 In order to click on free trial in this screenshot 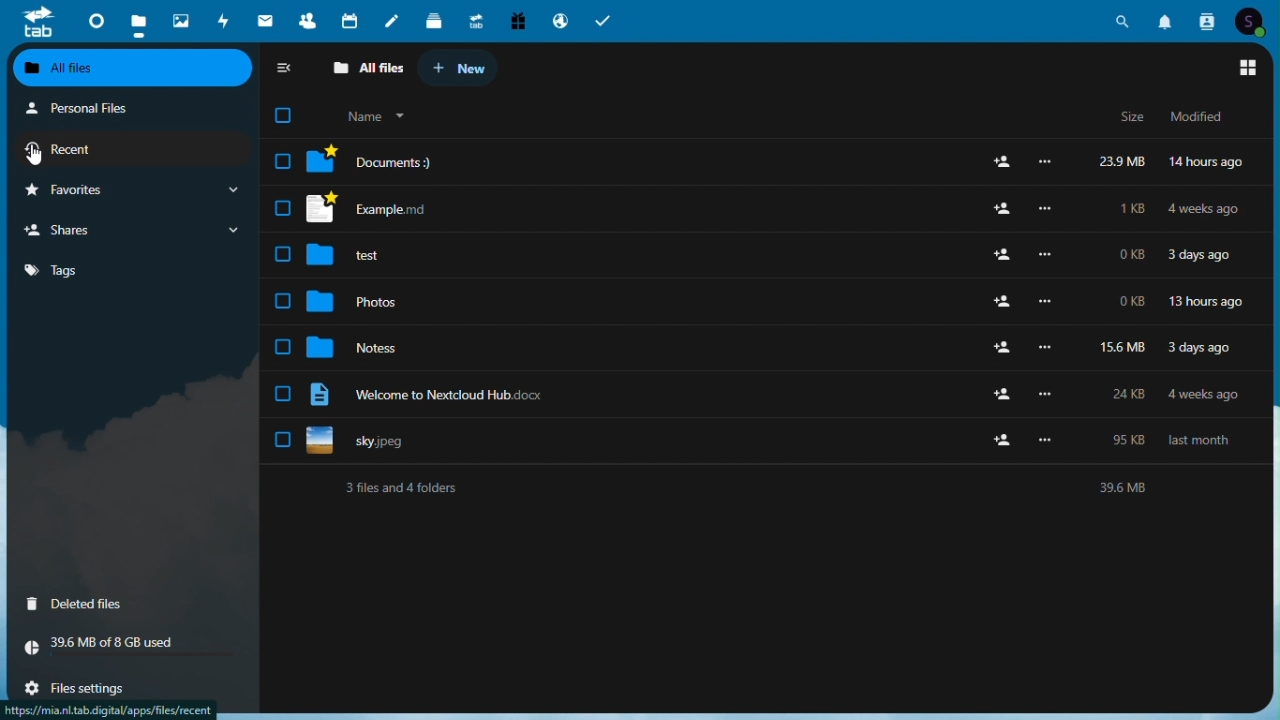, I will do `click(517, 19)`.